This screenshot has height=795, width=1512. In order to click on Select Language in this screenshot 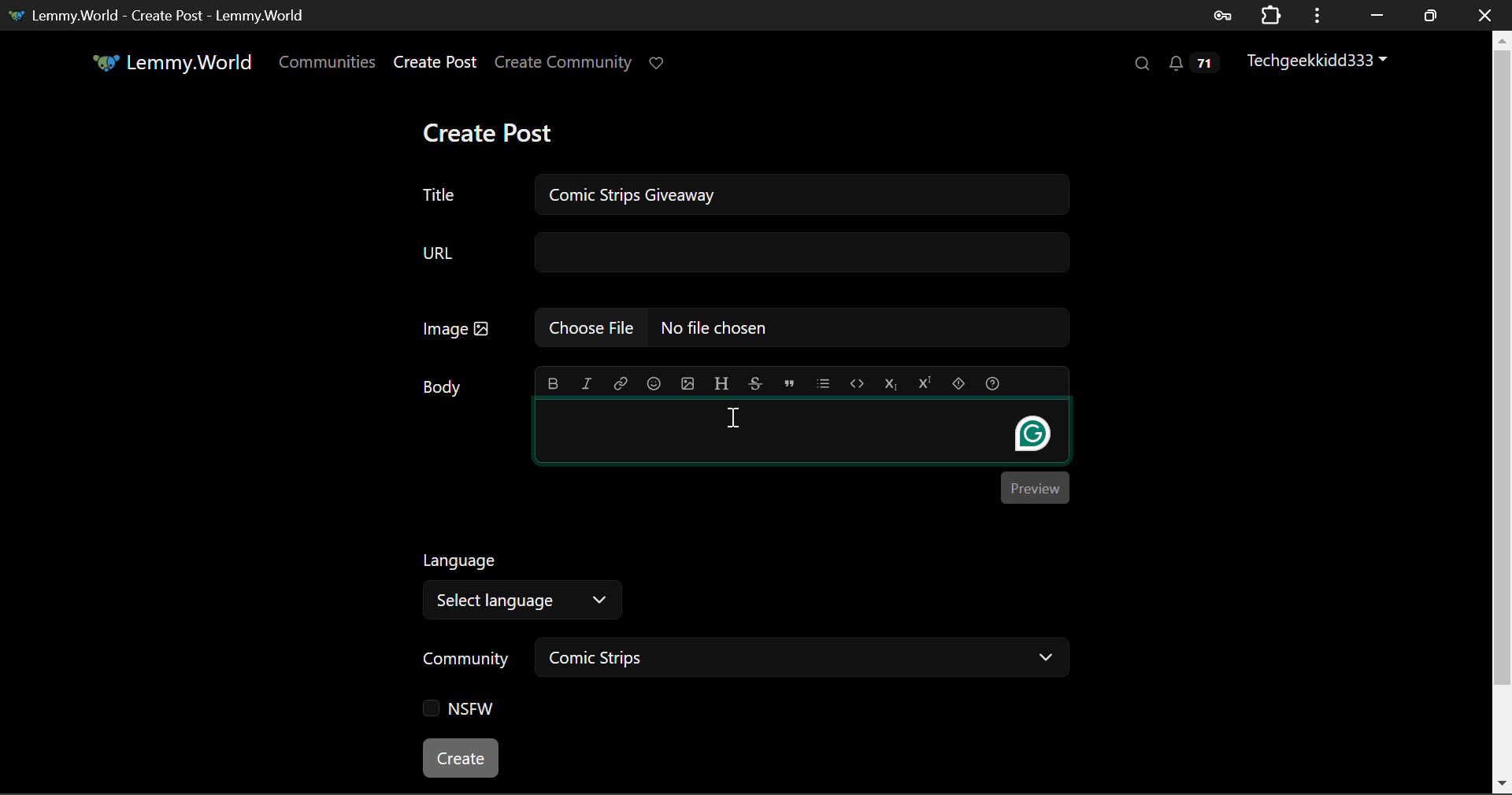, I will do `click(528, 602)`.